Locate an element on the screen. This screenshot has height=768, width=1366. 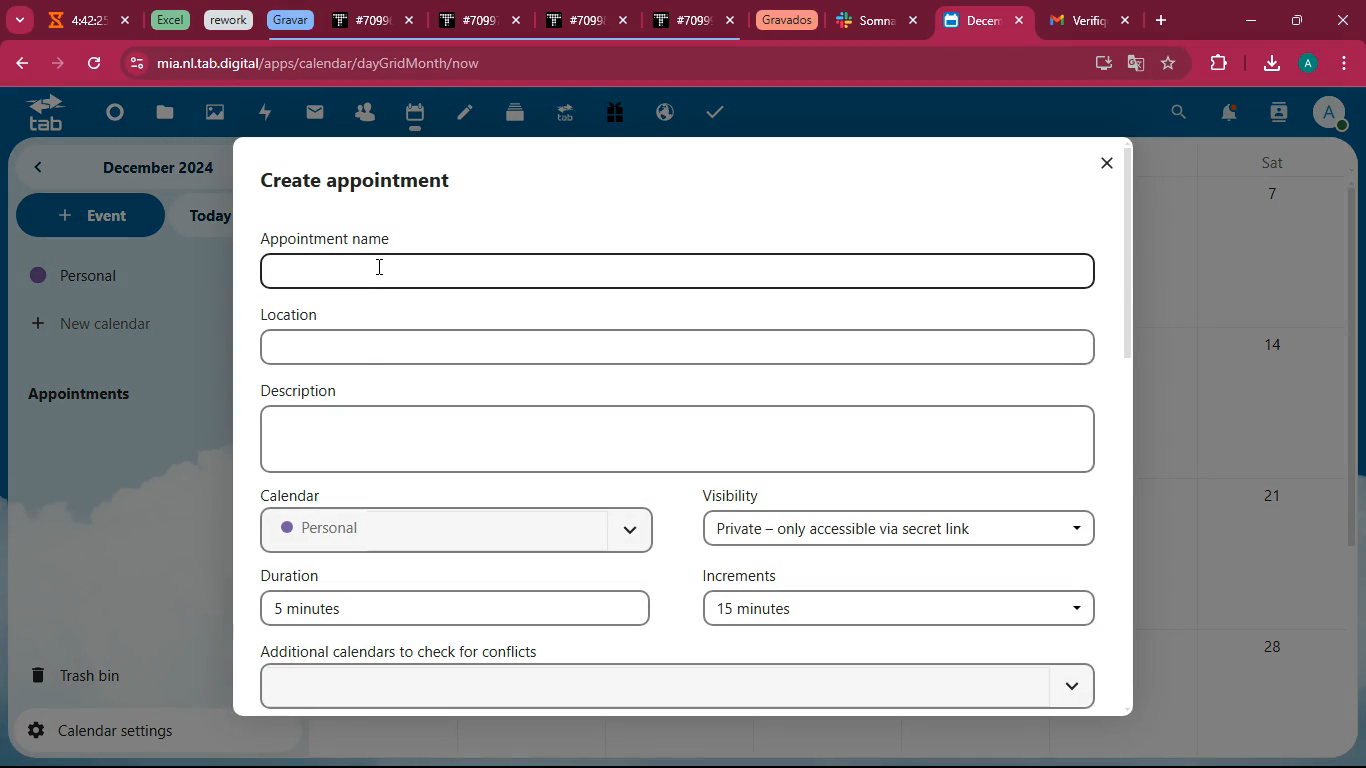
close is located at coordinates (1347, 20).